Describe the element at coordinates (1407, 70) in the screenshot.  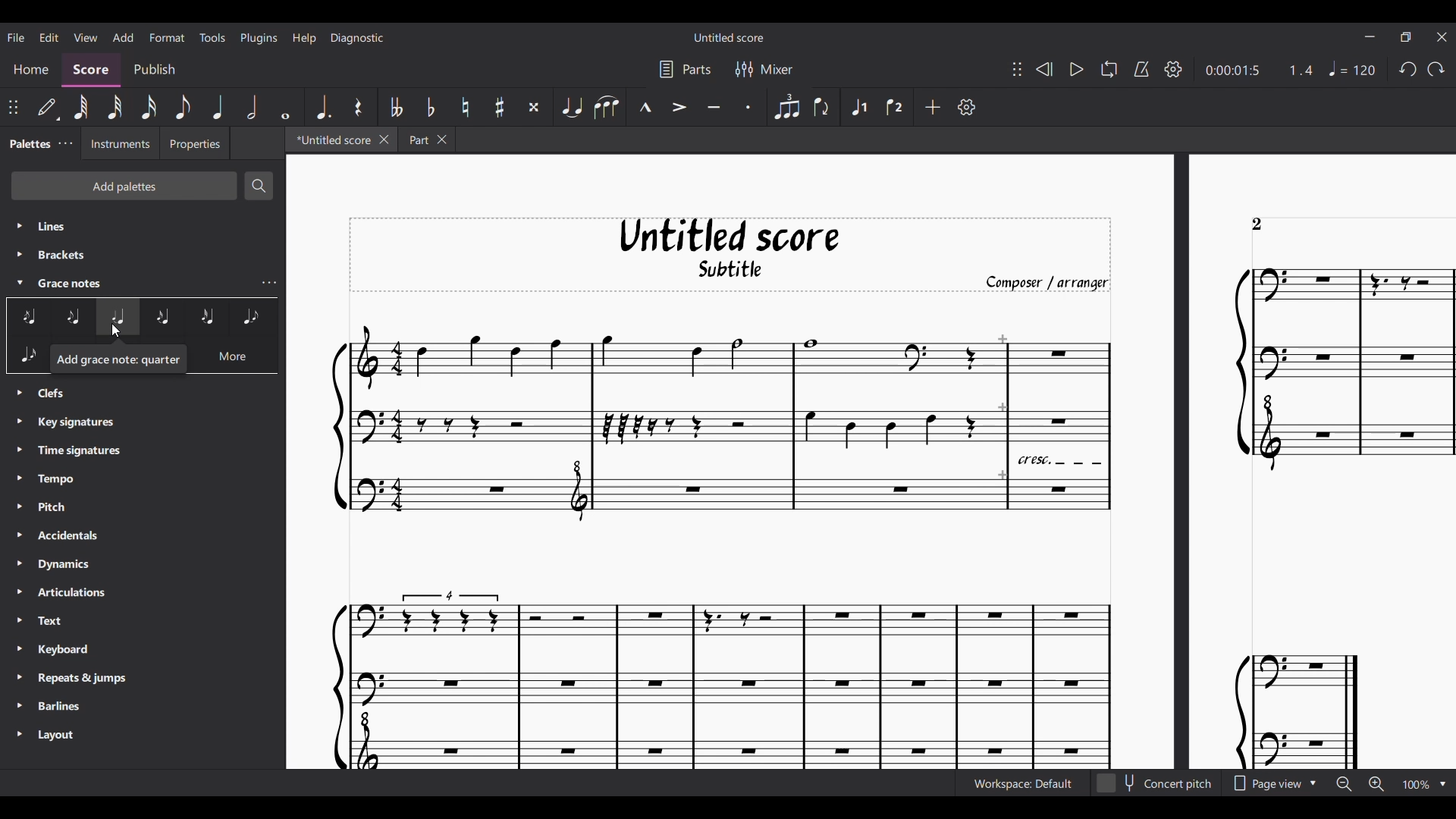
I see `Undo` at that location.